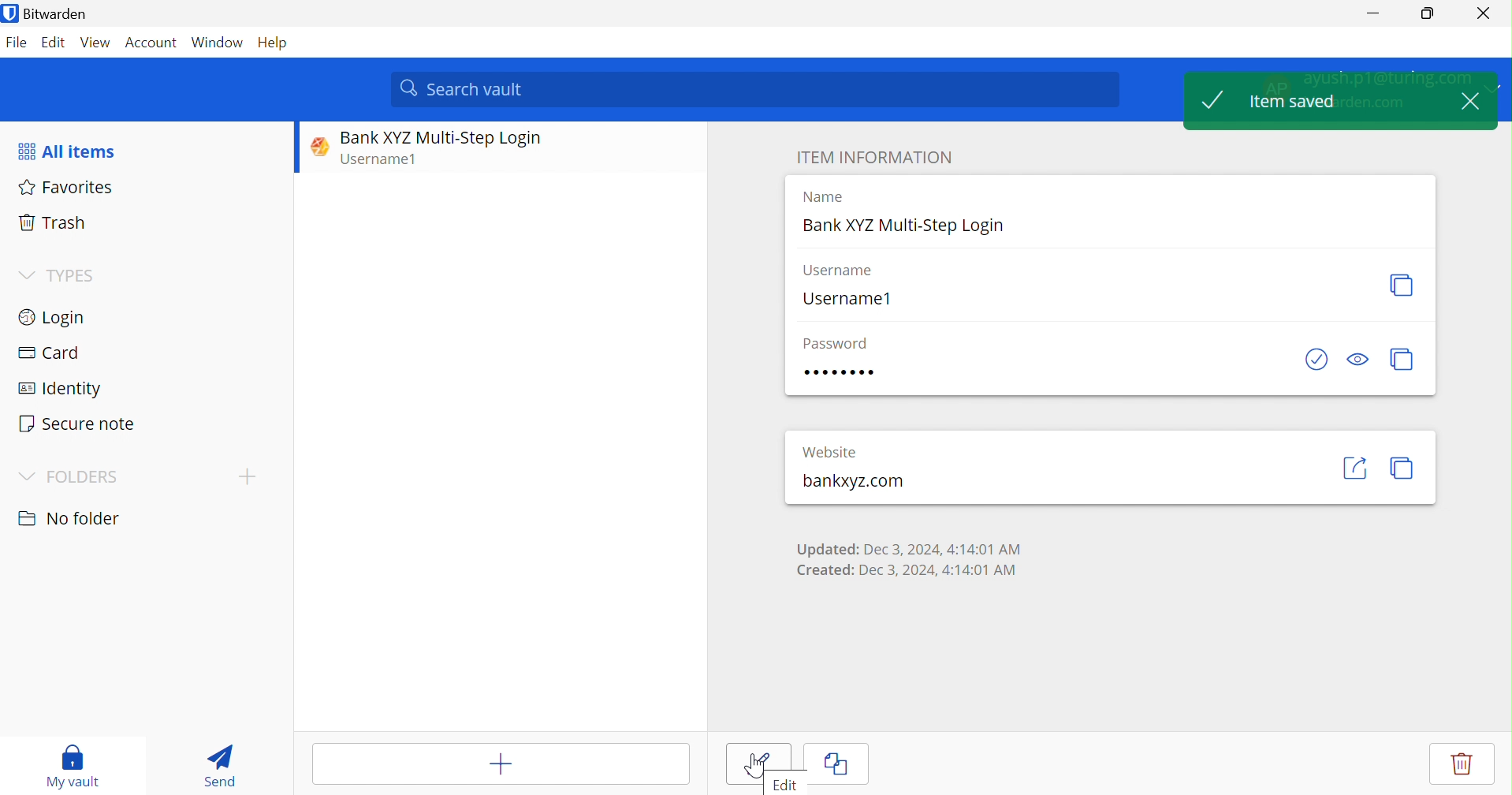  Describe the element at coordinates (1402, 360) in the screenshot. I see `Regenerate password` at that location.